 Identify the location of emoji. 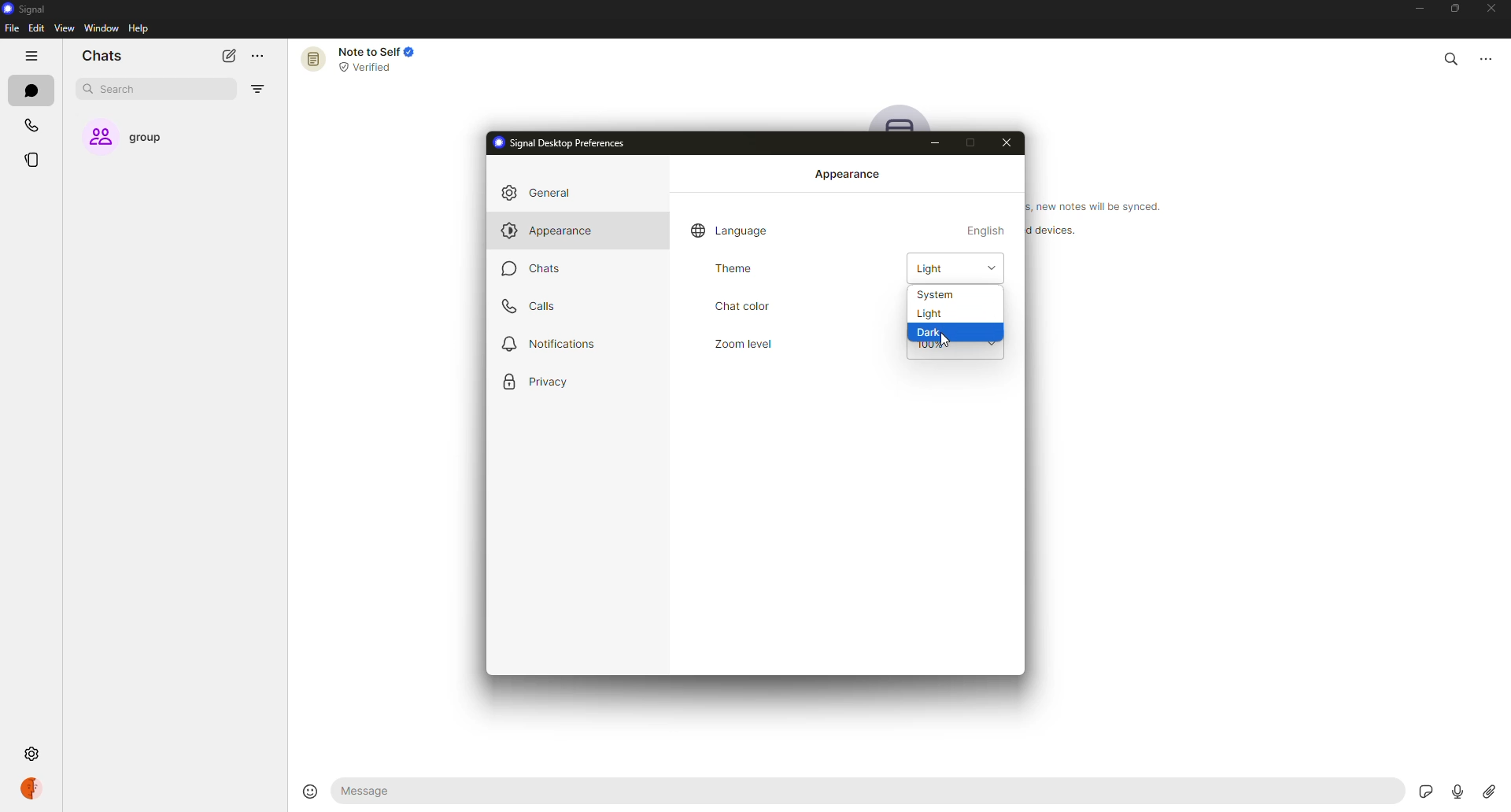
(305, 789).